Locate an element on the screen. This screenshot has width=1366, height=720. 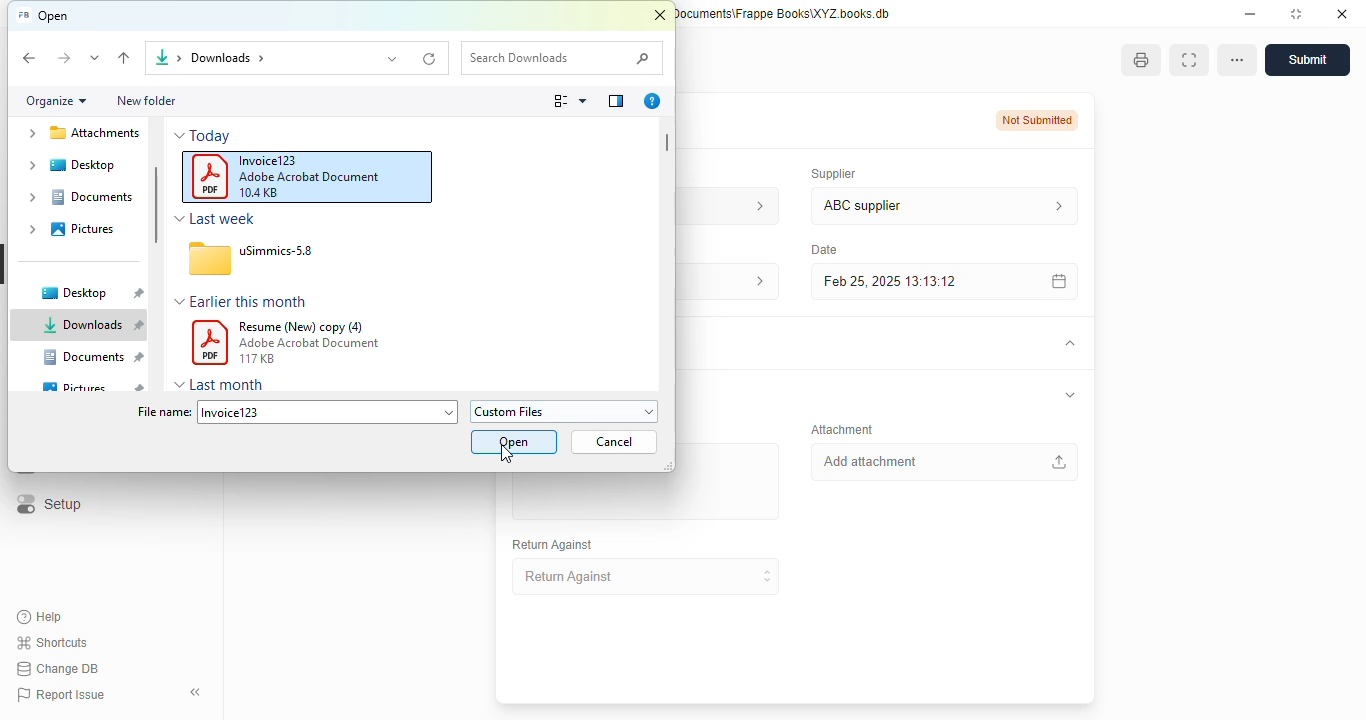
report issue is located at coordinates (60, 695).